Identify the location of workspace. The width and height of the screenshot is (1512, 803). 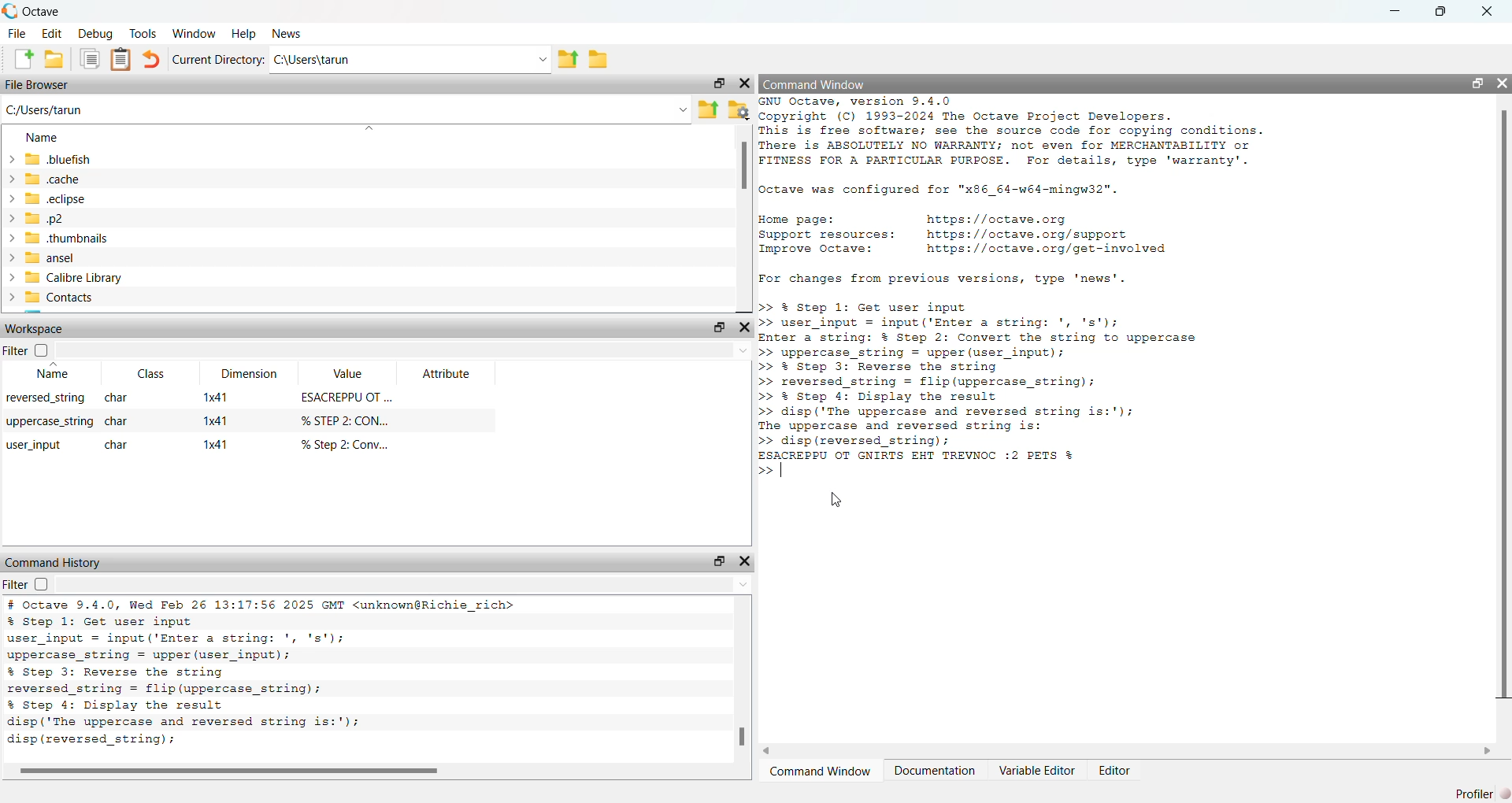
(37, 331).